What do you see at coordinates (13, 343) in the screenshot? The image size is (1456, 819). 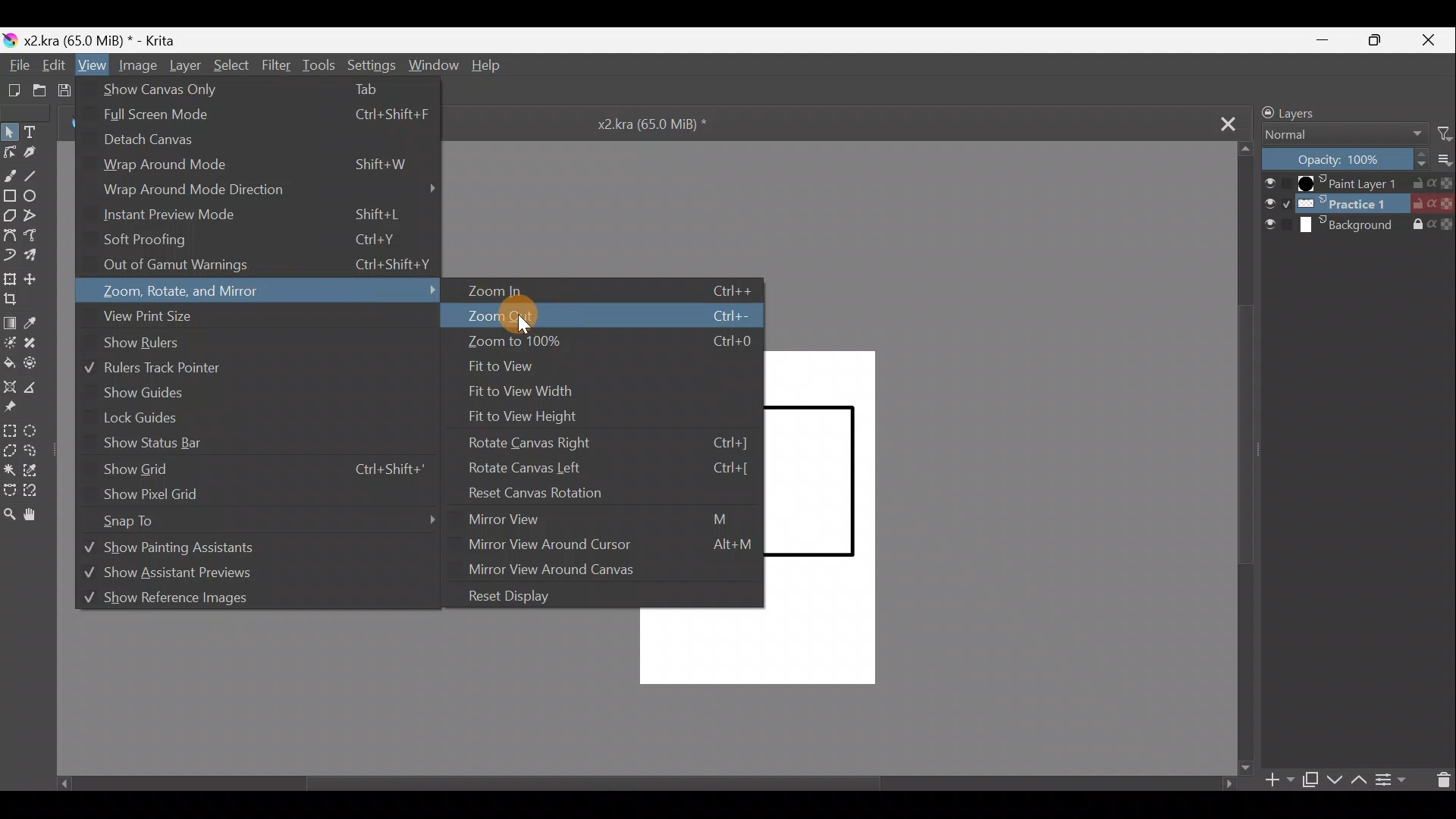 I see `Colourise mask tool` at bounding box center [13, 343].